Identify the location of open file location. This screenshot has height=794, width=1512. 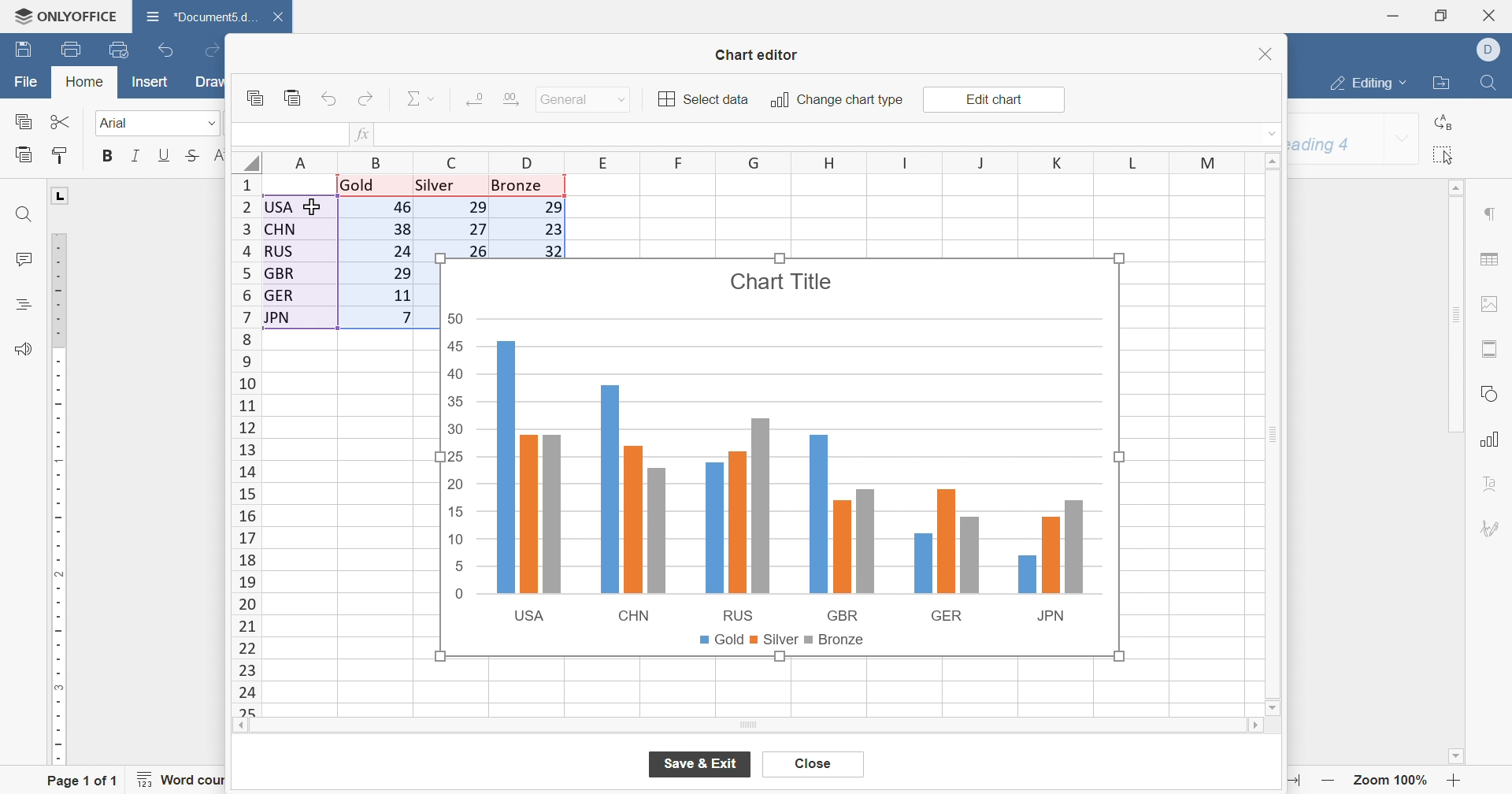
(1443, 83).